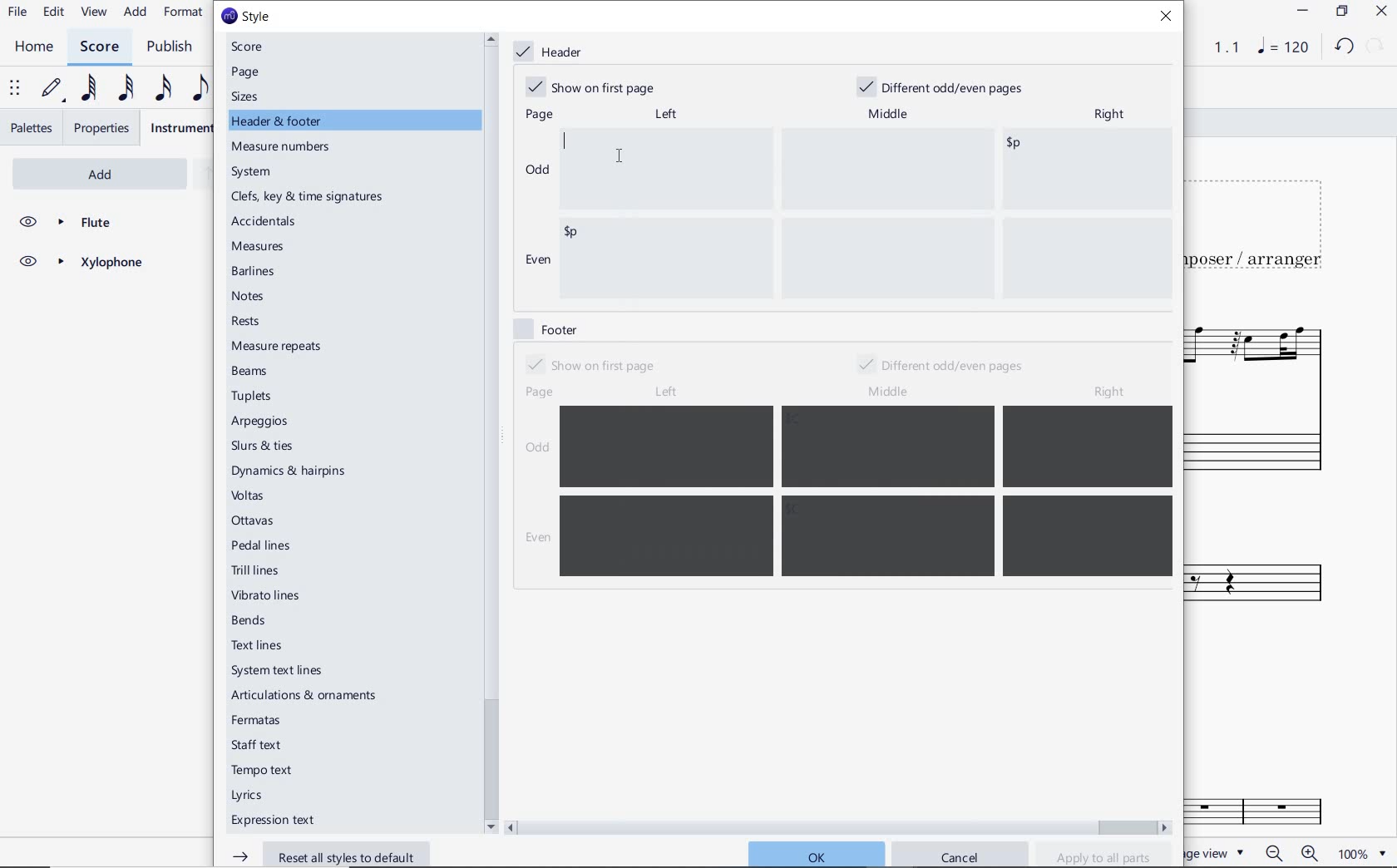 Image resolution: width=1397 pixels, height=868 pixels. I want to click on footer, so click(545, 328).